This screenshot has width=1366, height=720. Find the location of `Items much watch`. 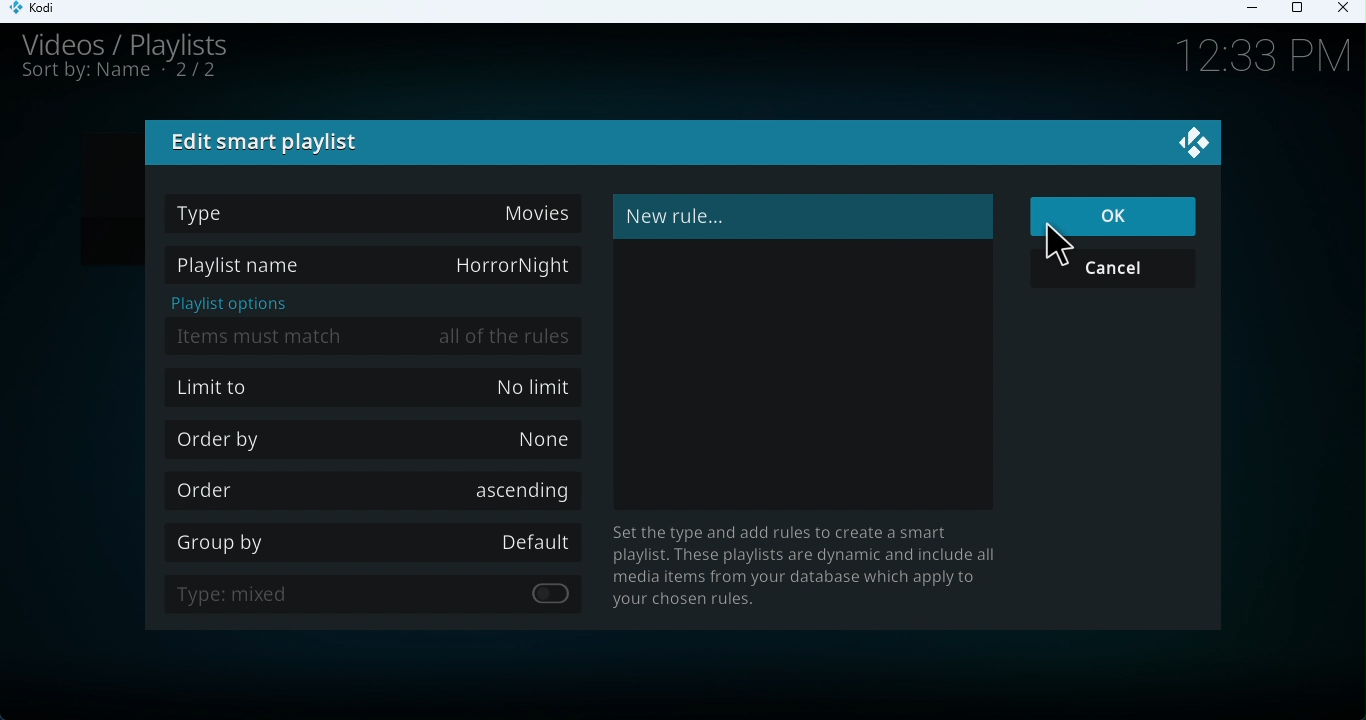

Items much watch is located at coordinates (378, 334).